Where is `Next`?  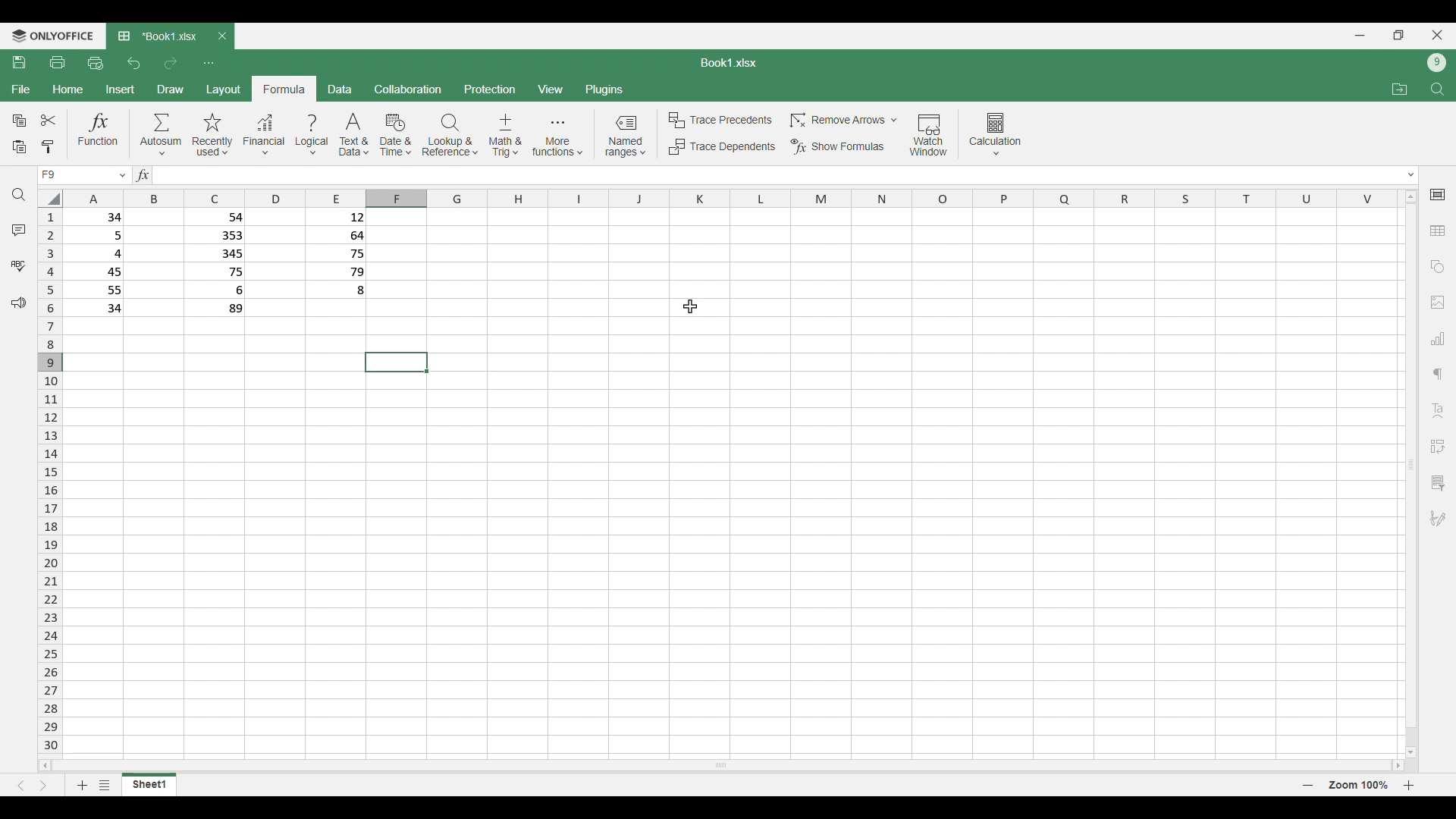 Next is located at coordinates (43, 786).